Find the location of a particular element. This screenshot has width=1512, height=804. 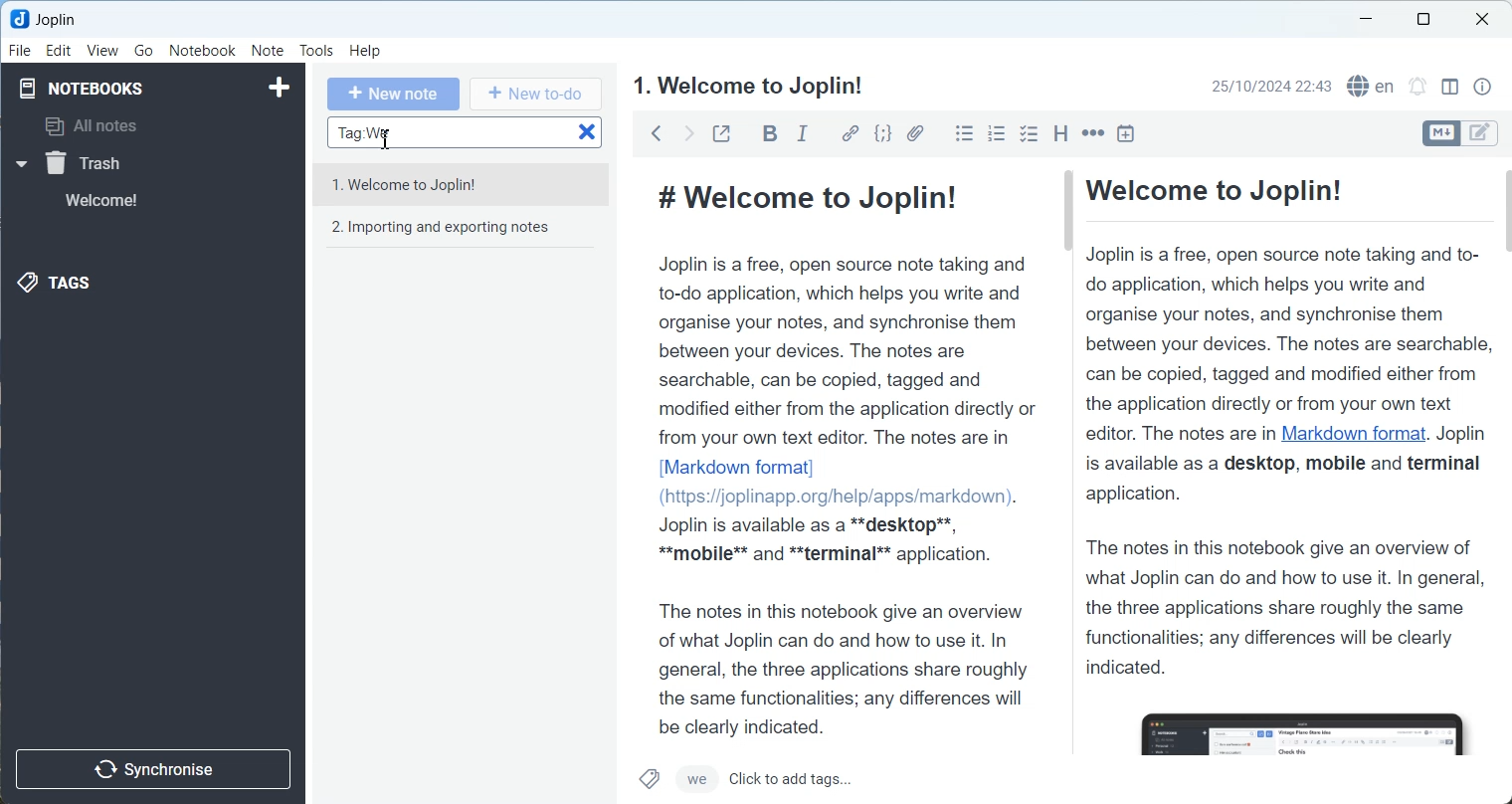

Attached file is located at coordinates (915, 133).